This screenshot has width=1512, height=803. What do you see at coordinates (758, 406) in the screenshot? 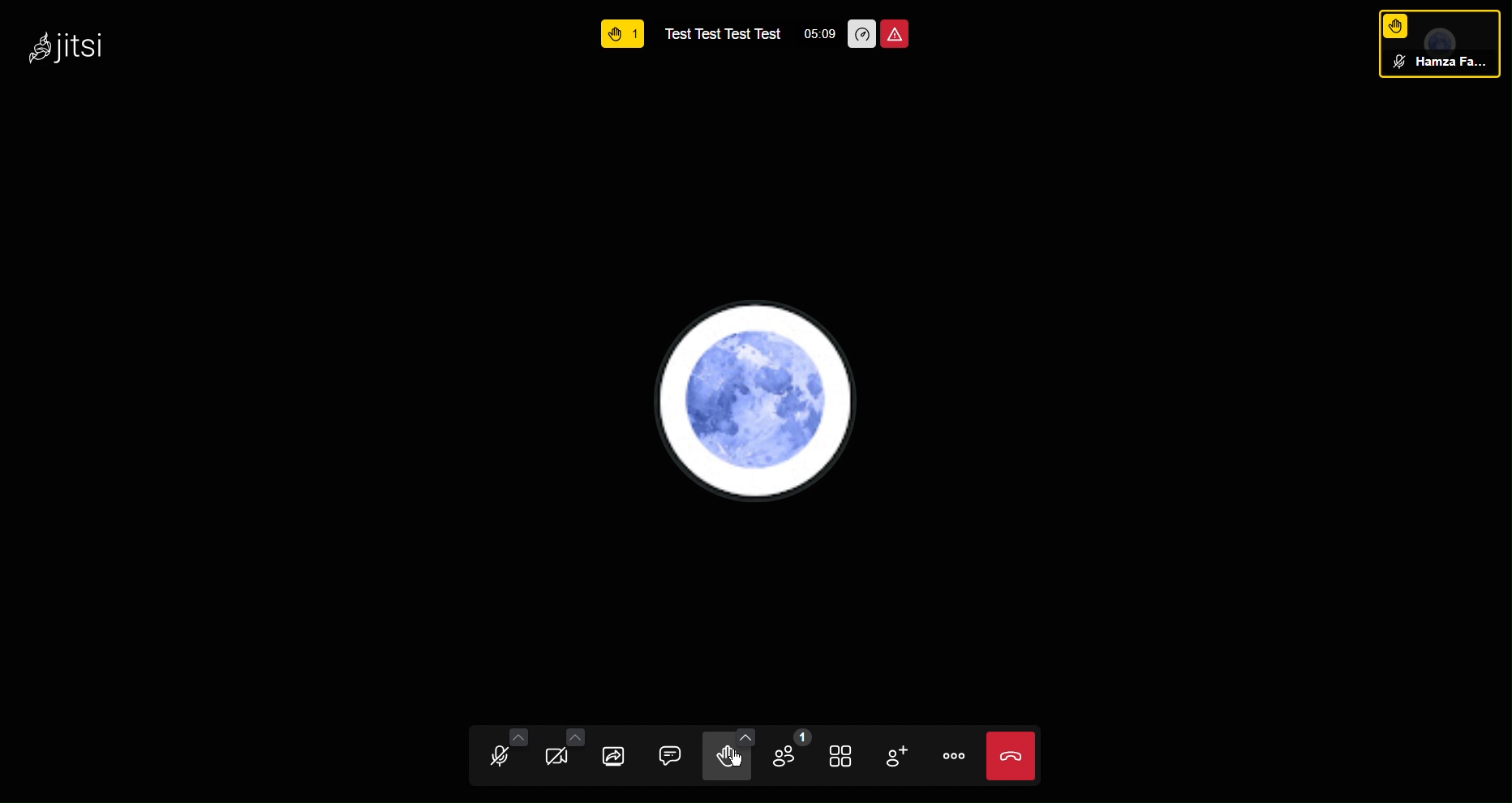
I see `Account PFP` at bounding box center [758, 406].